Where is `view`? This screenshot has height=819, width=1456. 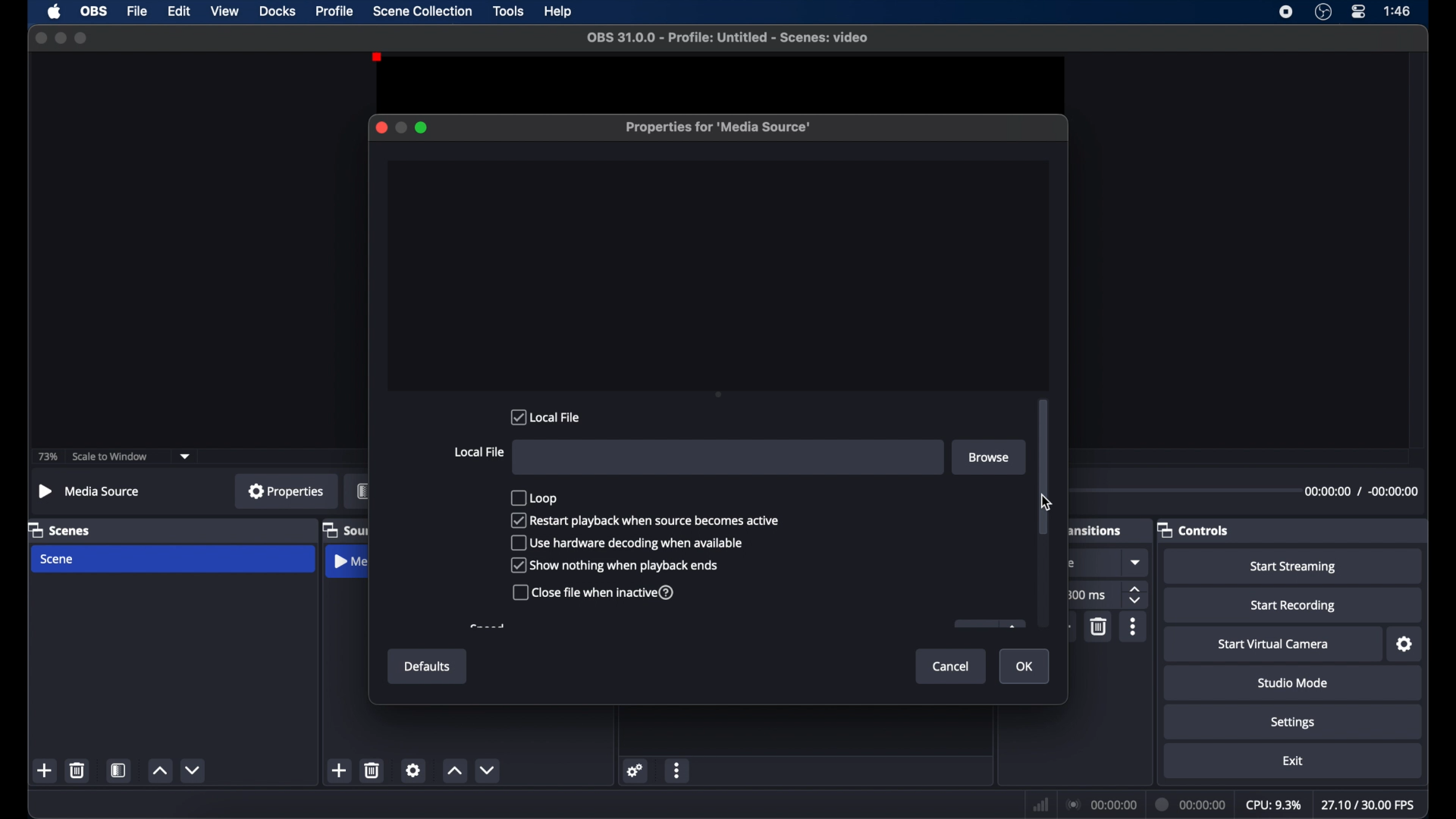
view is located at coordinates (224, 10).